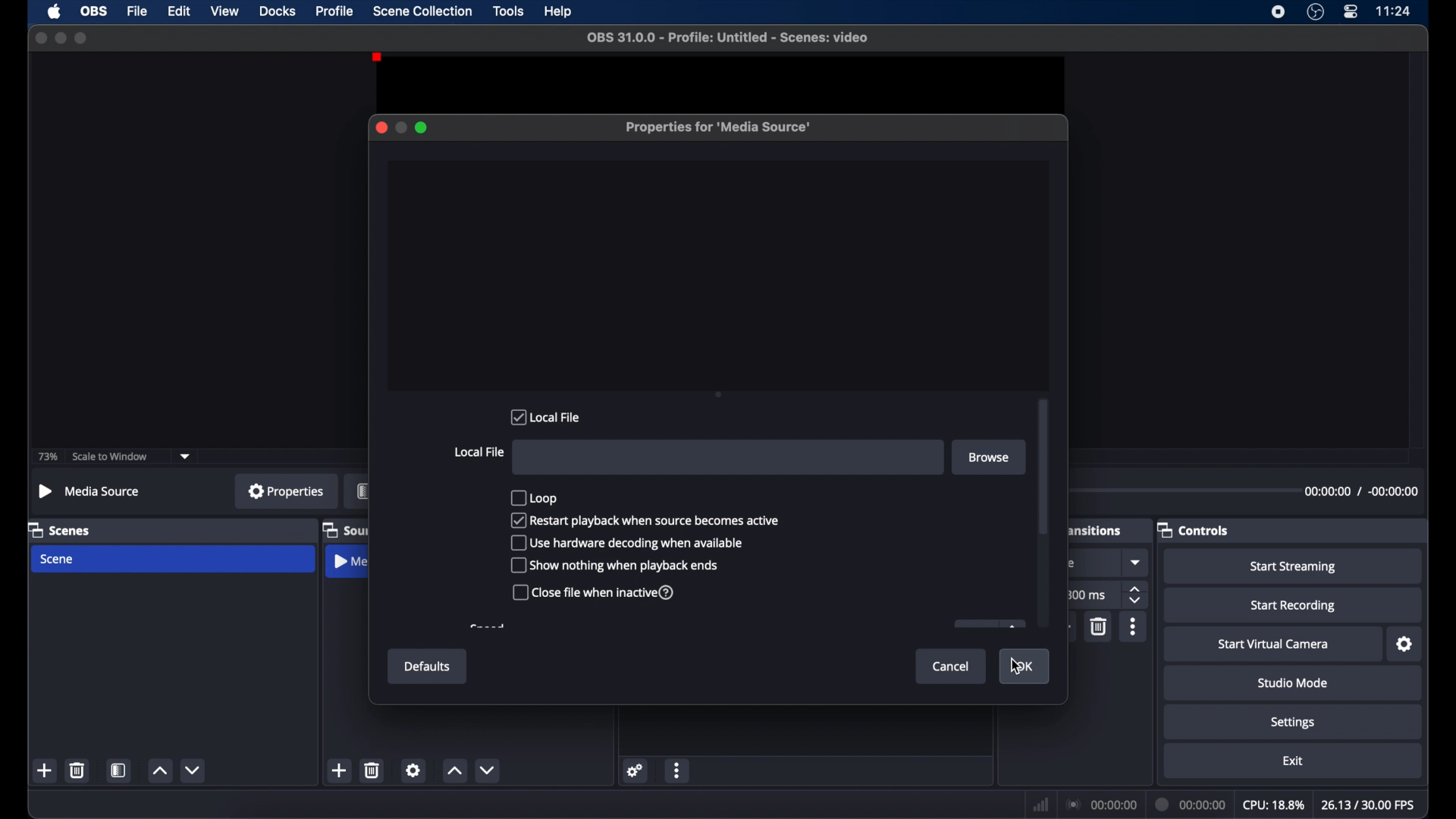 This screenshot has width=1456, height=819. I want to click on scene transitions, so click(1097, 531).